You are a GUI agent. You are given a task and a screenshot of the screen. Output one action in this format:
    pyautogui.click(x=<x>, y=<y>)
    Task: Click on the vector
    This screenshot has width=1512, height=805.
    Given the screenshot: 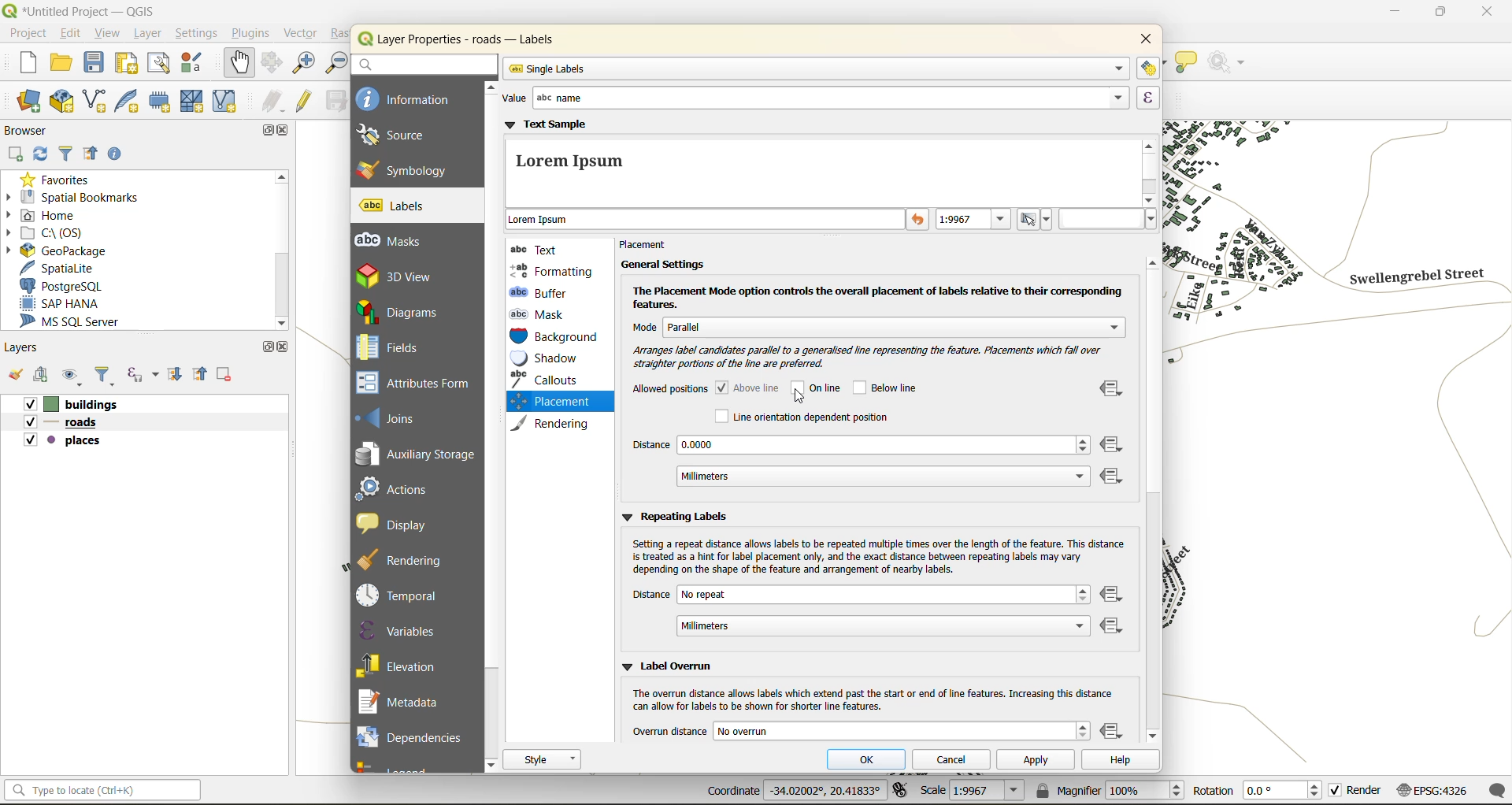 What is the action you would take?
    pyautogui.click(x=305, y=34)
    